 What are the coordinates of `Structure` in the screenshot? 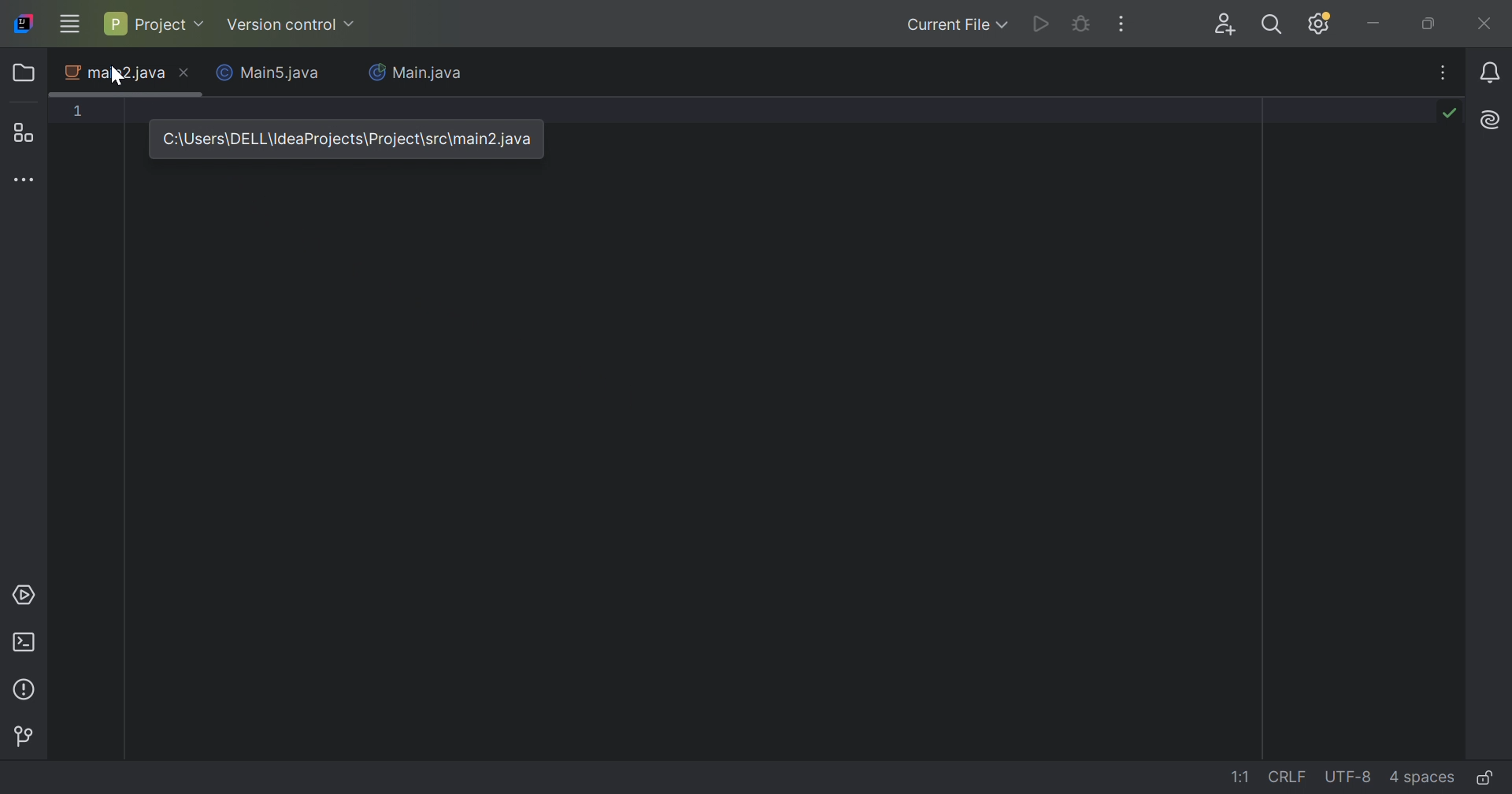 It's located at (26, 132).